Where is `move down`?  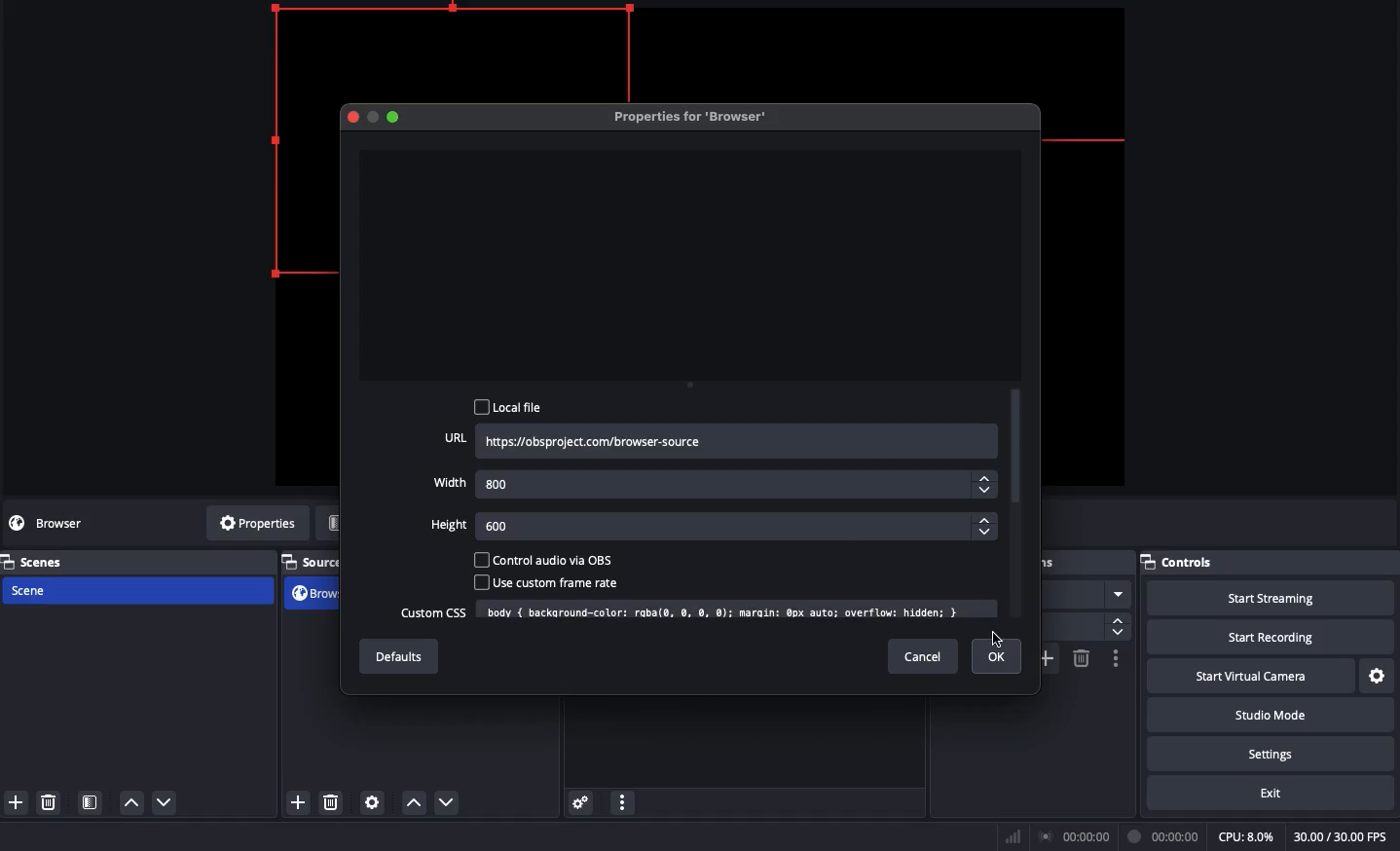 move down is located at coordinates (170, 799).